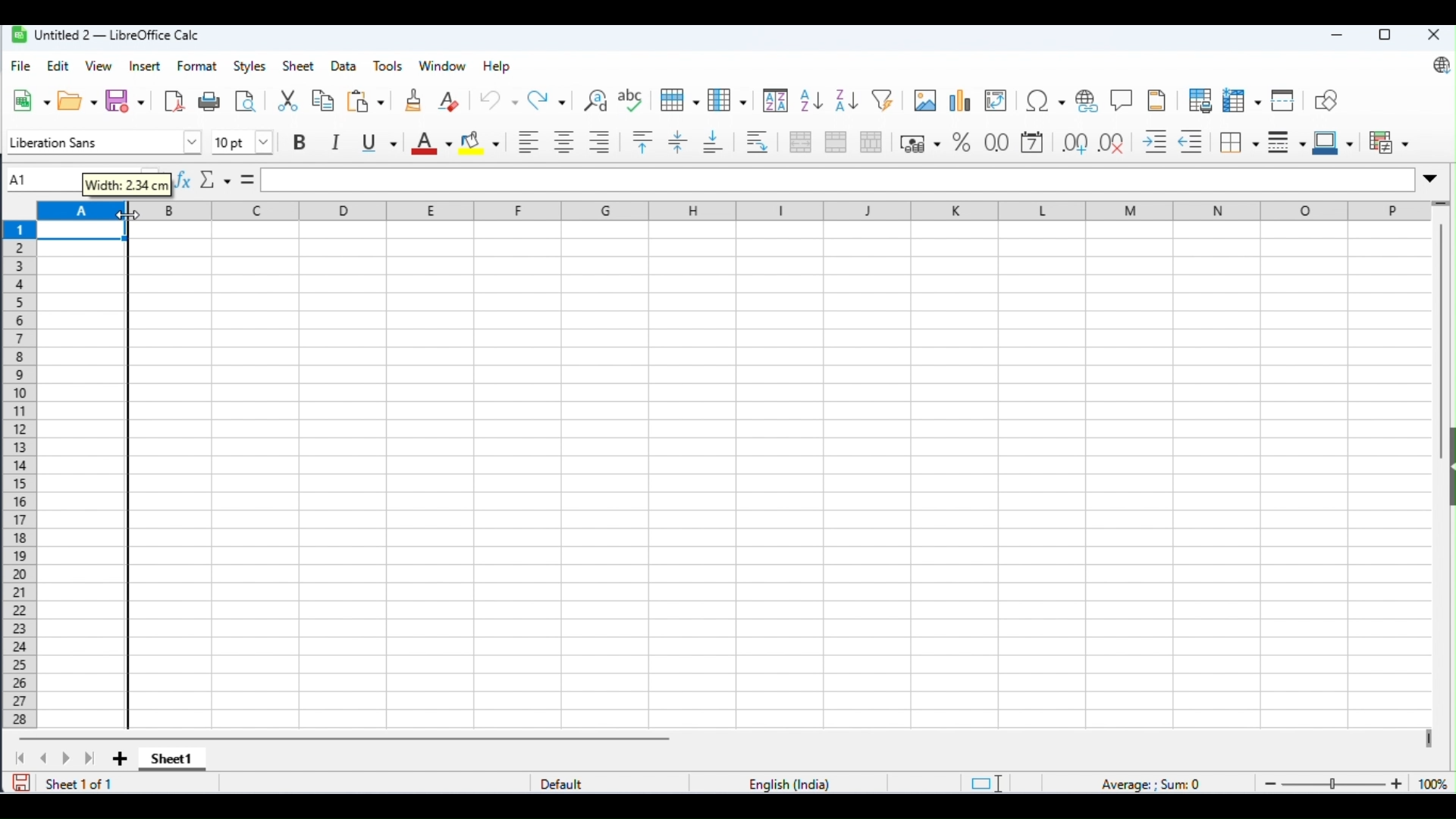  What do you see at coordinates (101, 143) in the screenshot?
I see `font style` at bounding box center [101, 143].